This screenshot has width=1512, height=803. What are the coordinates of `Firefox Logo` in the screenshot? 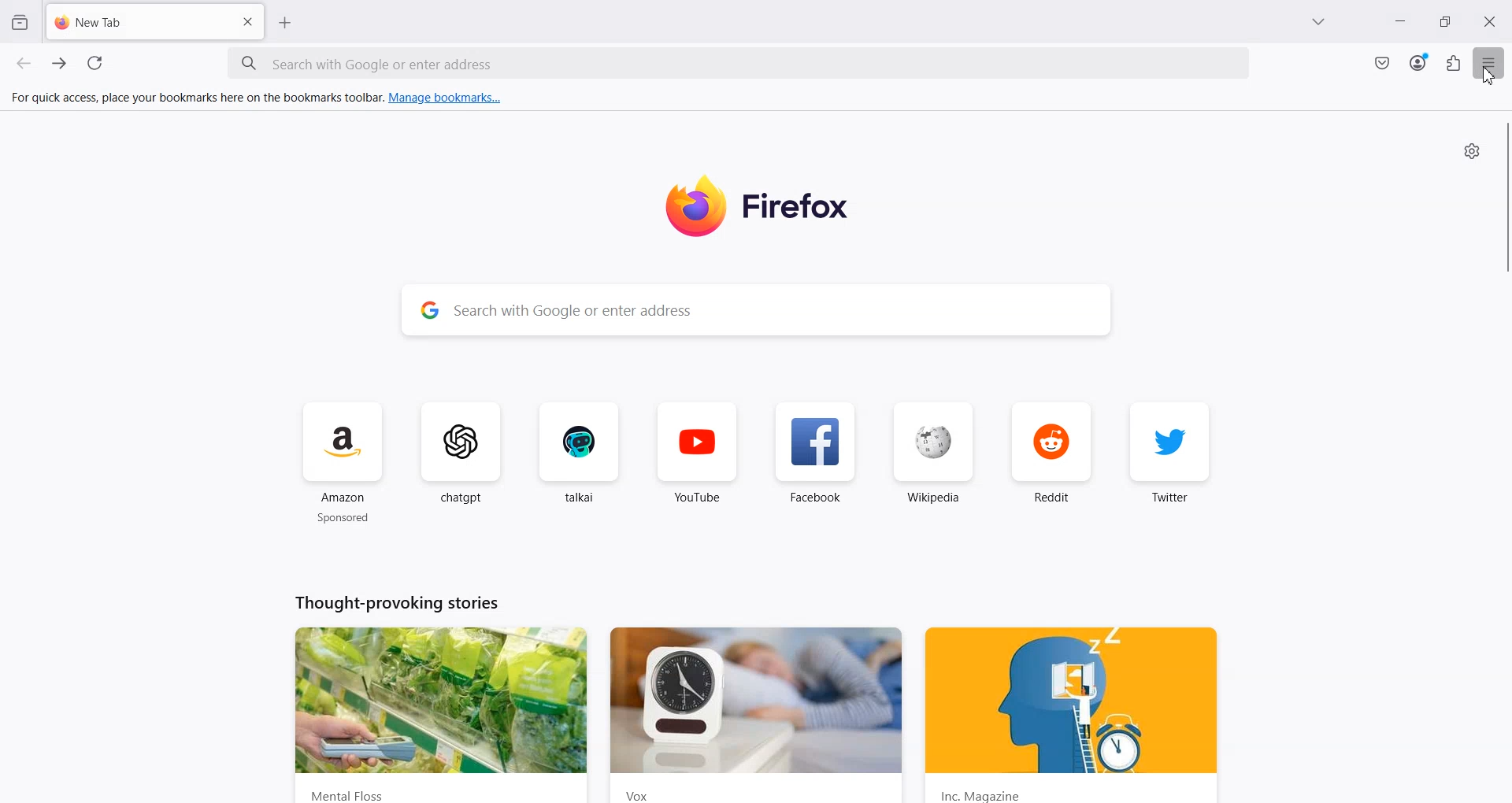 It's located at (754, 205).